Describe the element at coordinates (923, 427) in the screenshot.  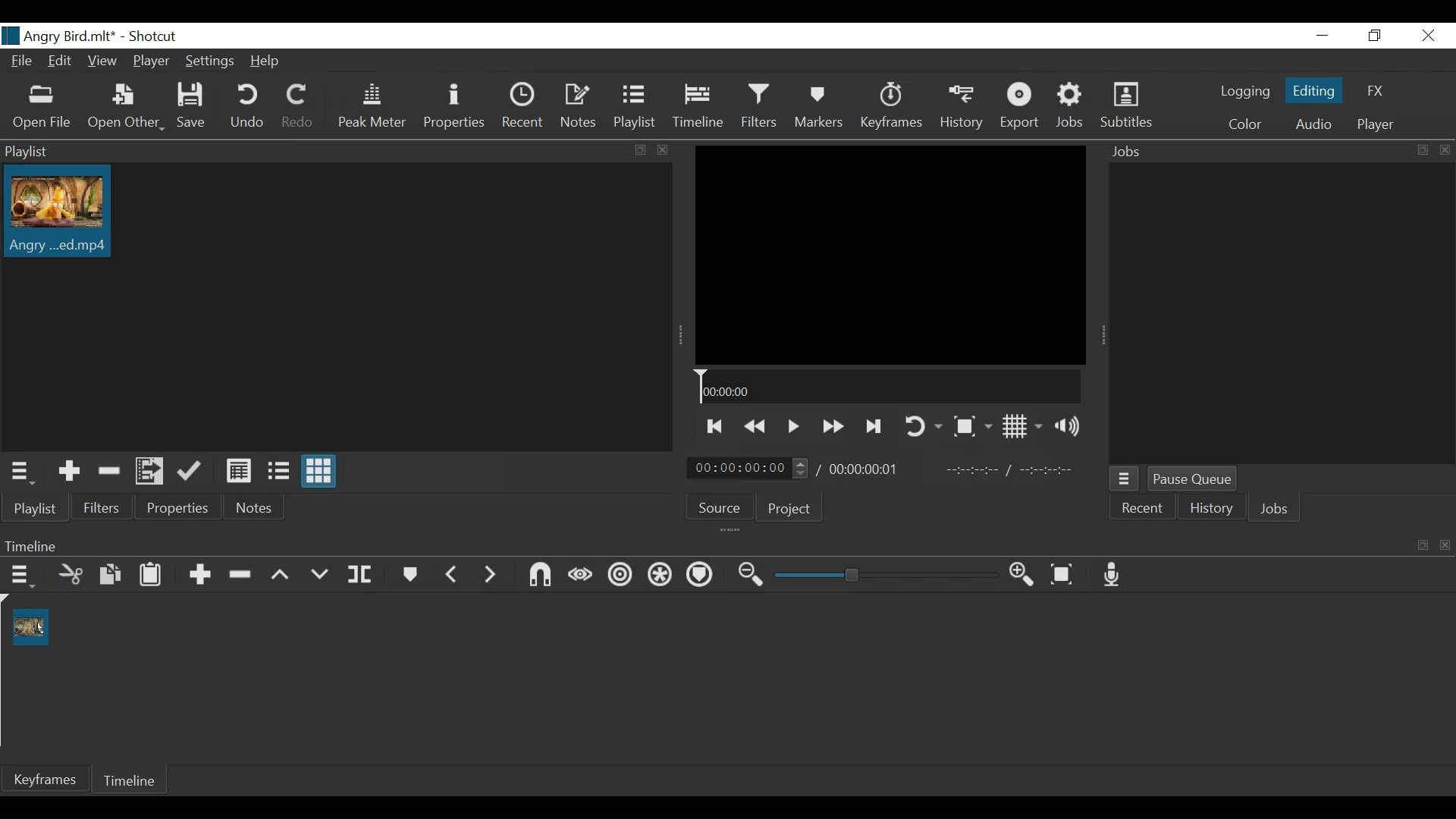
I see `Toggle player looping` at that location.